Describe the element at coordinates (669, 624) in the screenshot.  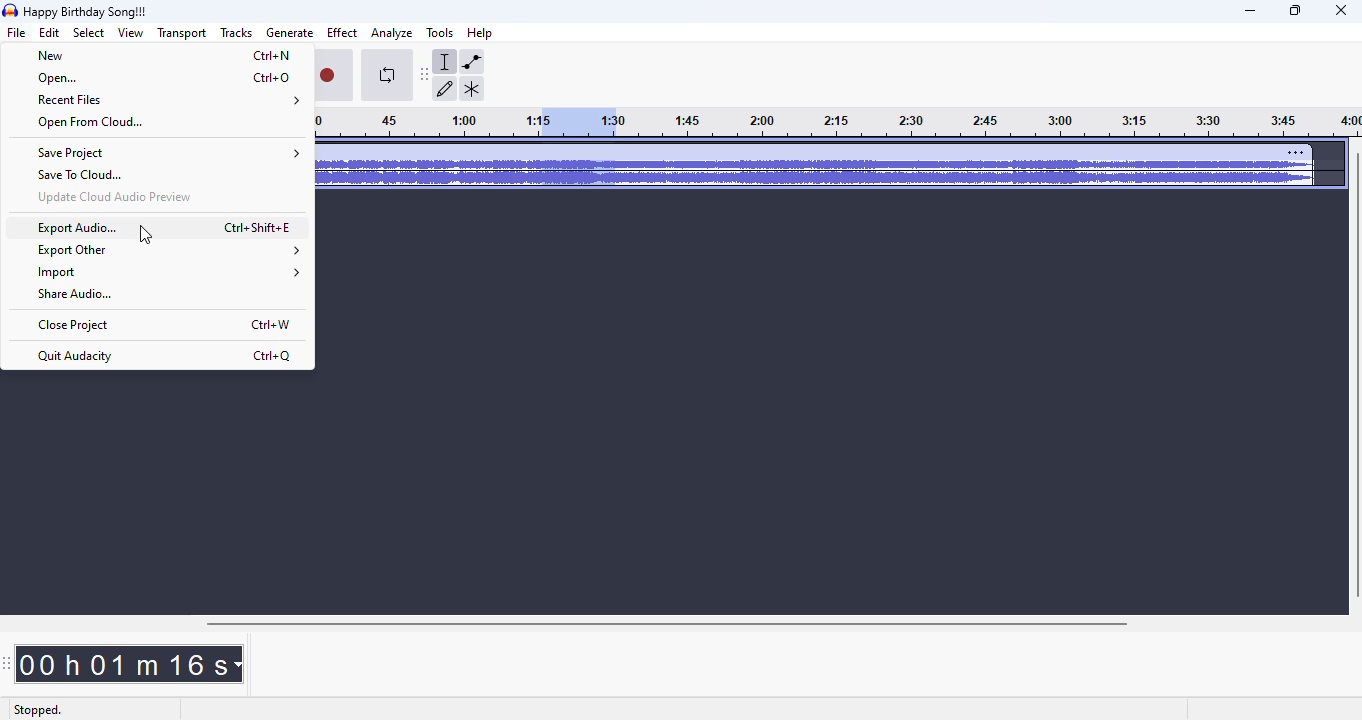
I see `horizontal scroll bar` at that location.